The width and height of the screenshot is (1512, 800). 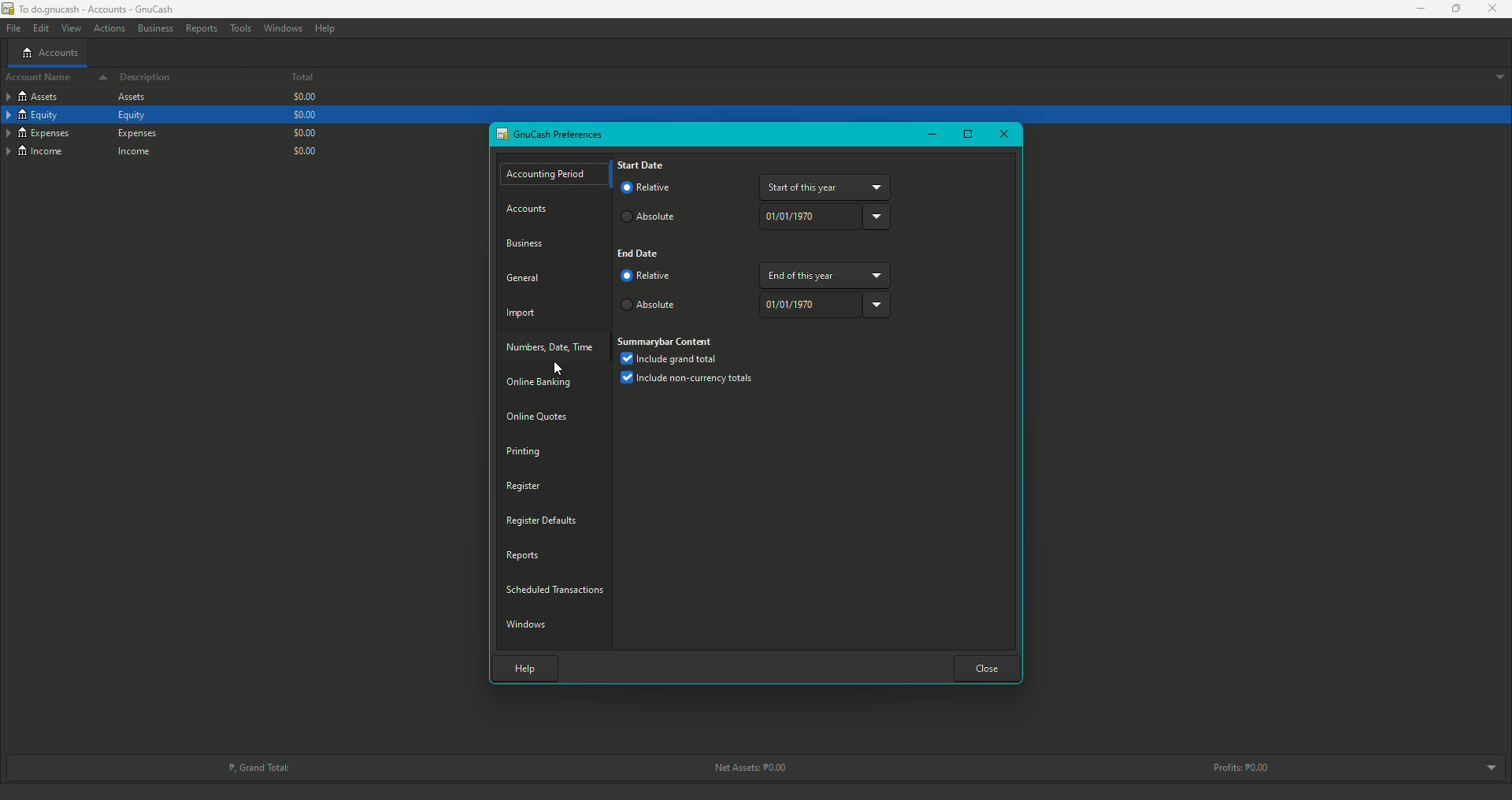 What do you see at coordinates (1244, 767) in the screenshot?
I see `Profits` at bounding box center [1244, 767].